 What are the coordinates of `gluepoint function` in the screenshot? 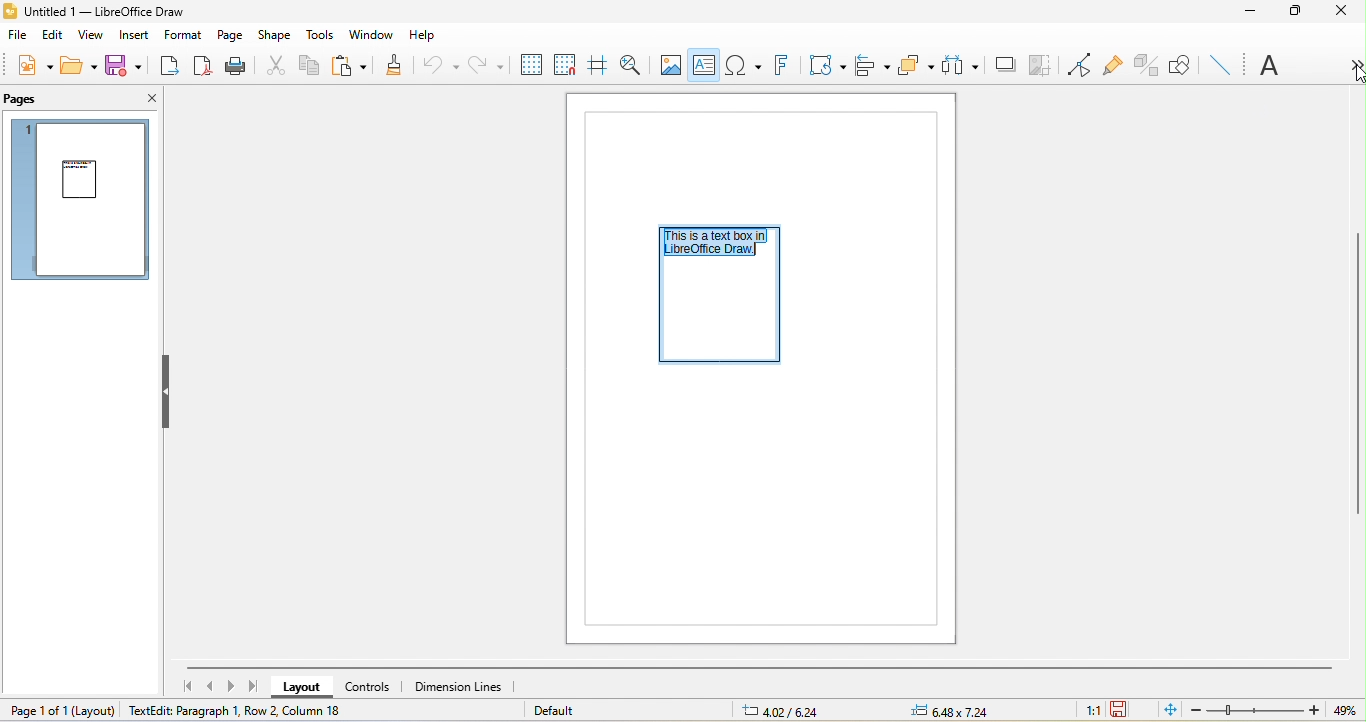 It's located at (1115, 63).